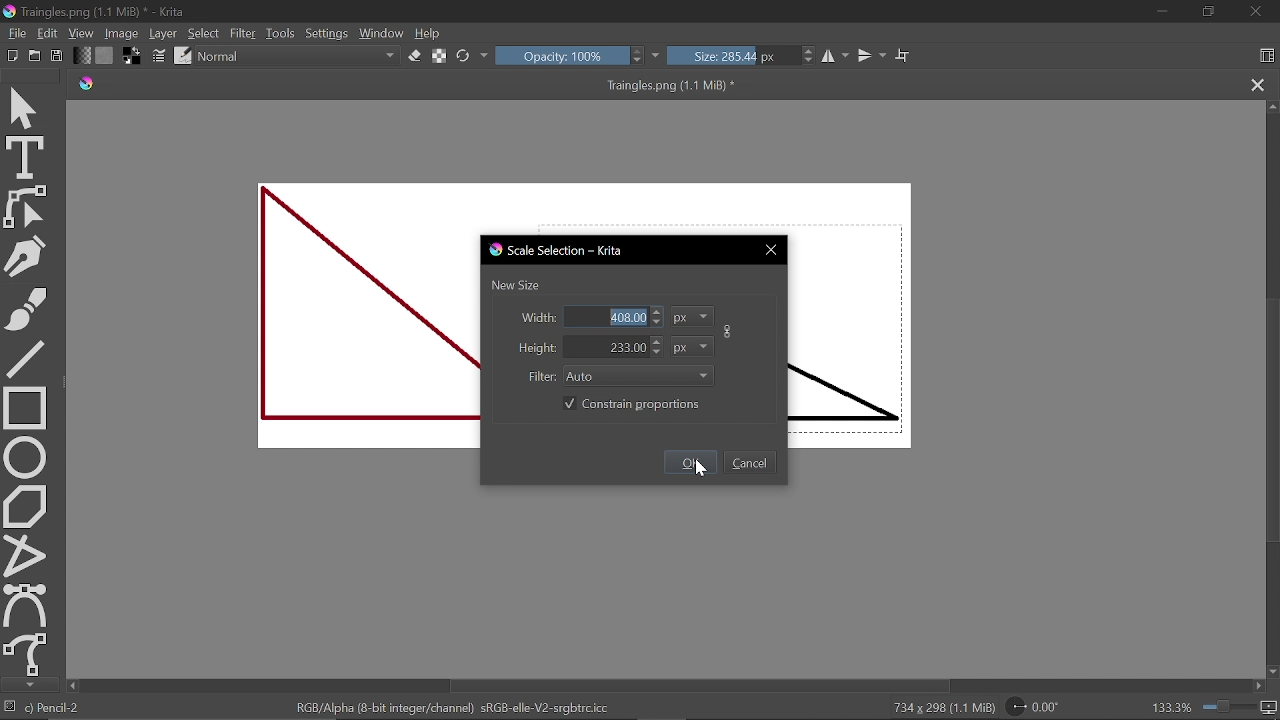 This screenshot has width=1280, height=720. Describe the element at coordinates (280, 33) in the screenshot. I see `Tools` at that location.